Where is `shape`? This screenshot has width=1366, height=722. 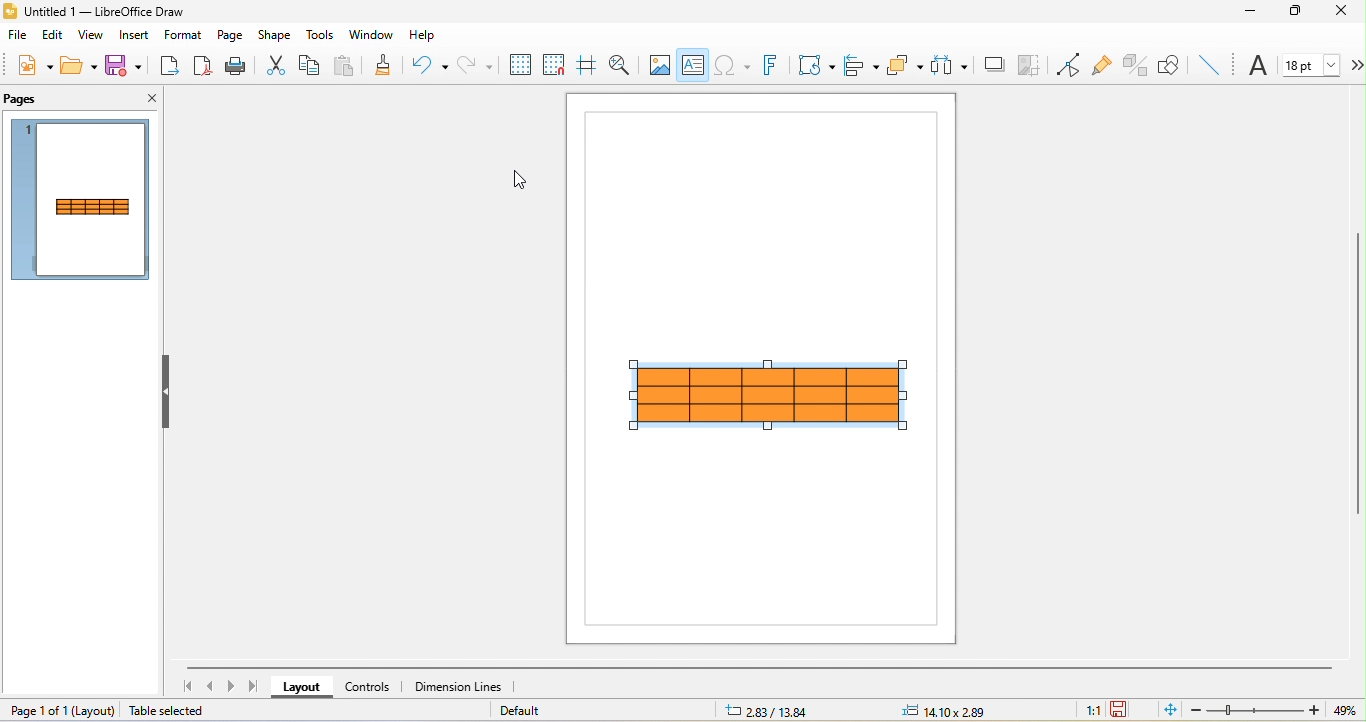 shape is located at coordinates (274, 35).